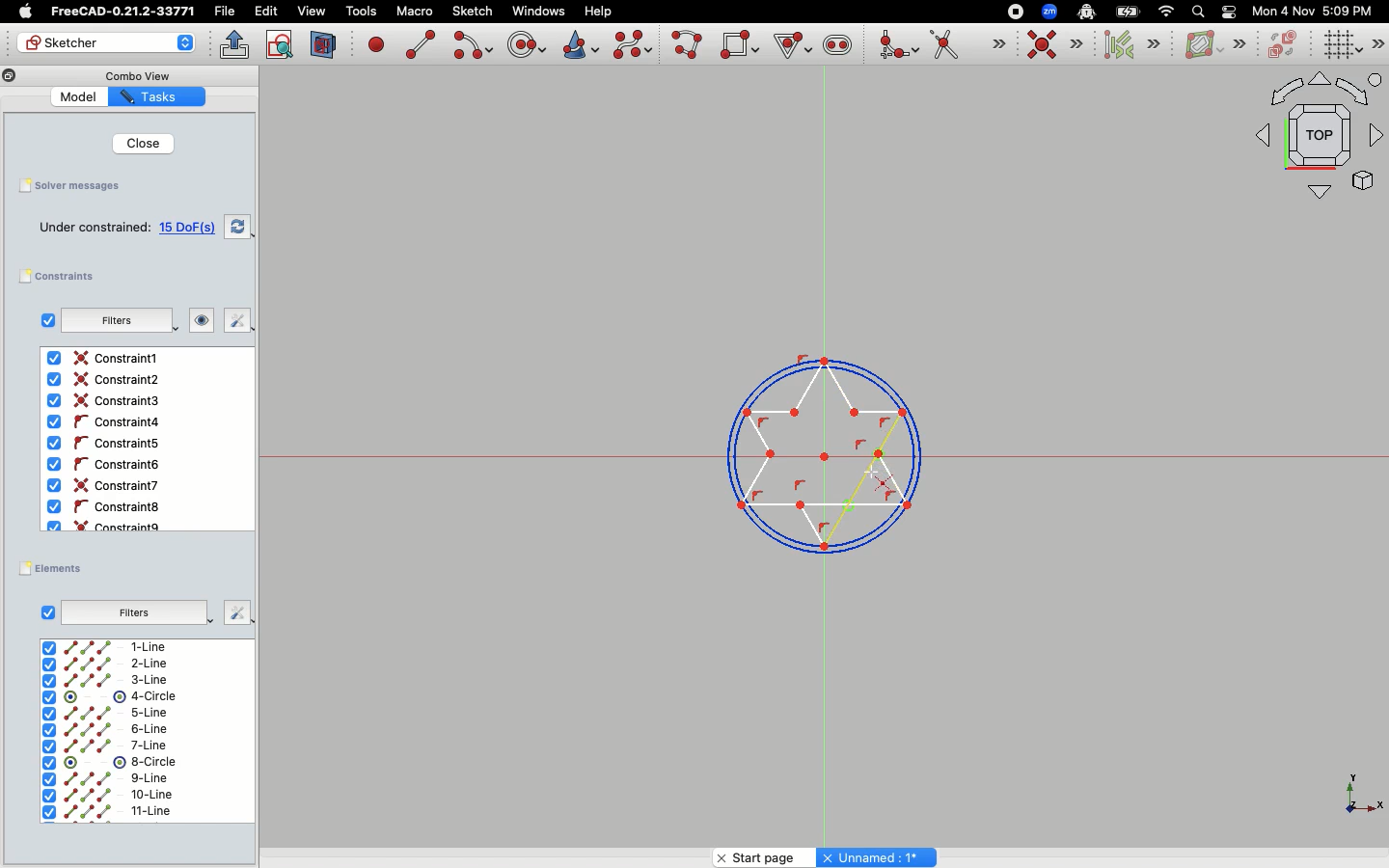 This screenshot has width=1389, height=868. I want to click on Zoom, so click(1050, 12).